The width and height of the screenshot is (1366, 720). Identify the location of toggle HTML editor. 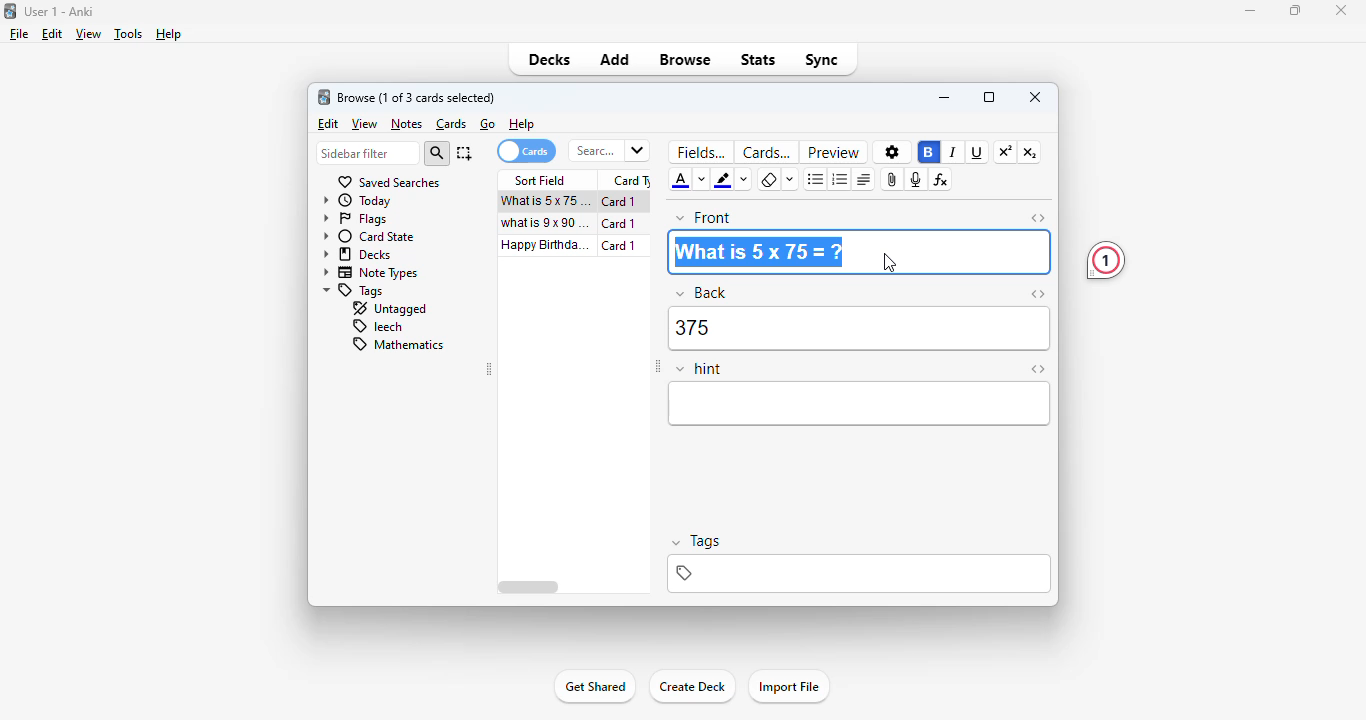
(1038, 218).